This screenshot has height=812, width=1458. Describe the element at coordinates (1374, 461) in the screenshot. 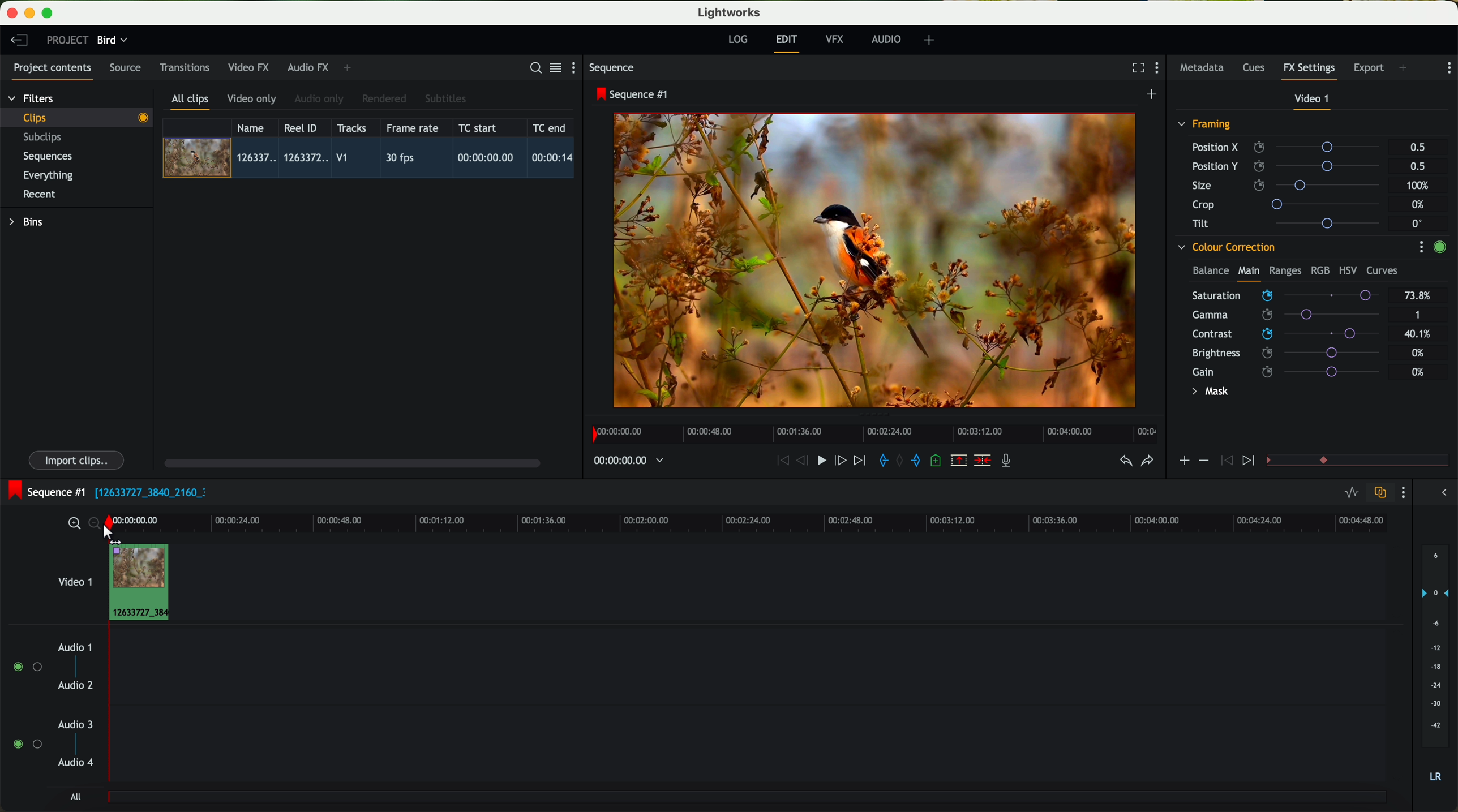

I see `transition` at that location.